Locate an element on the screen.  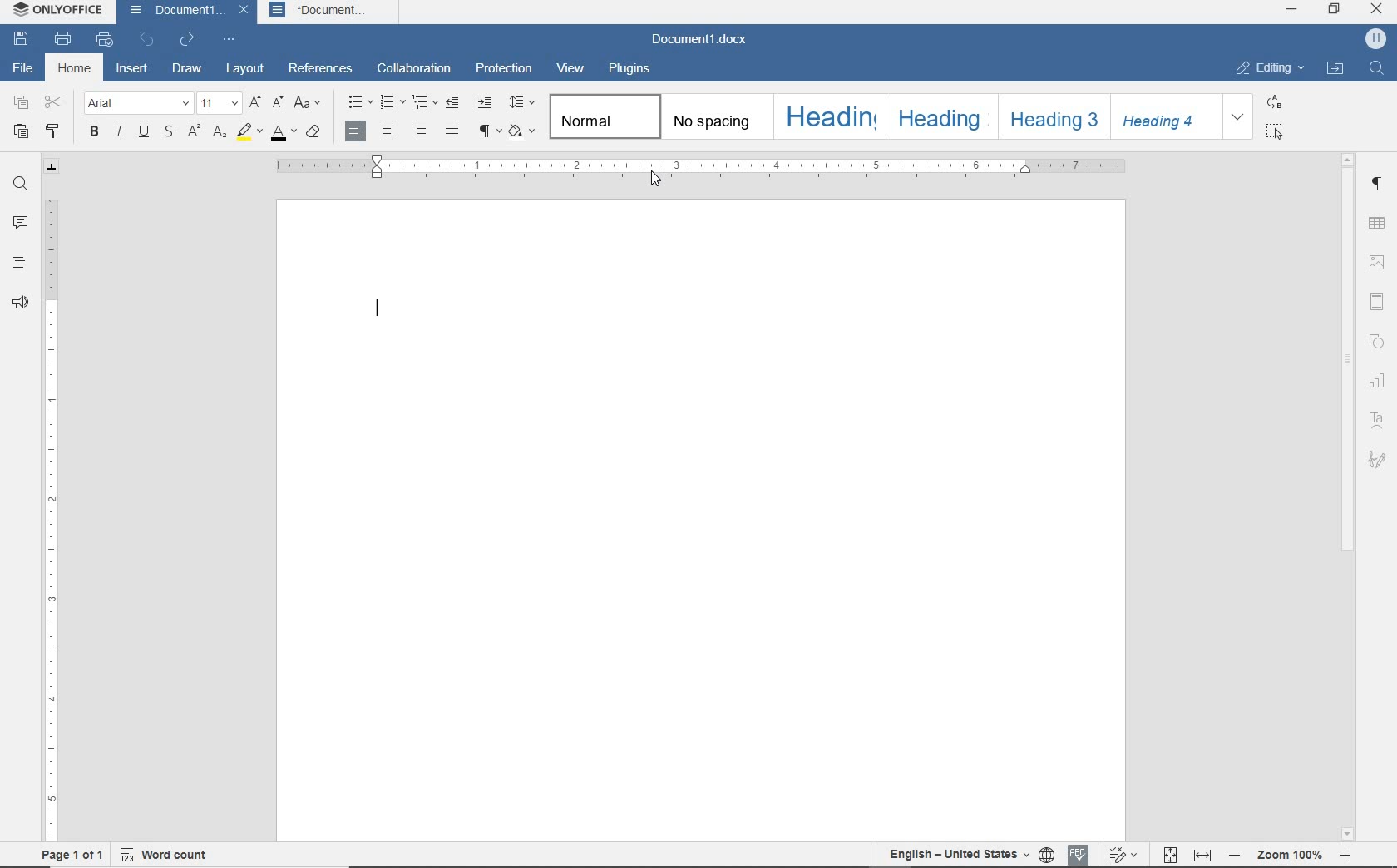
ITALIC is located at coordinates (119, 133).